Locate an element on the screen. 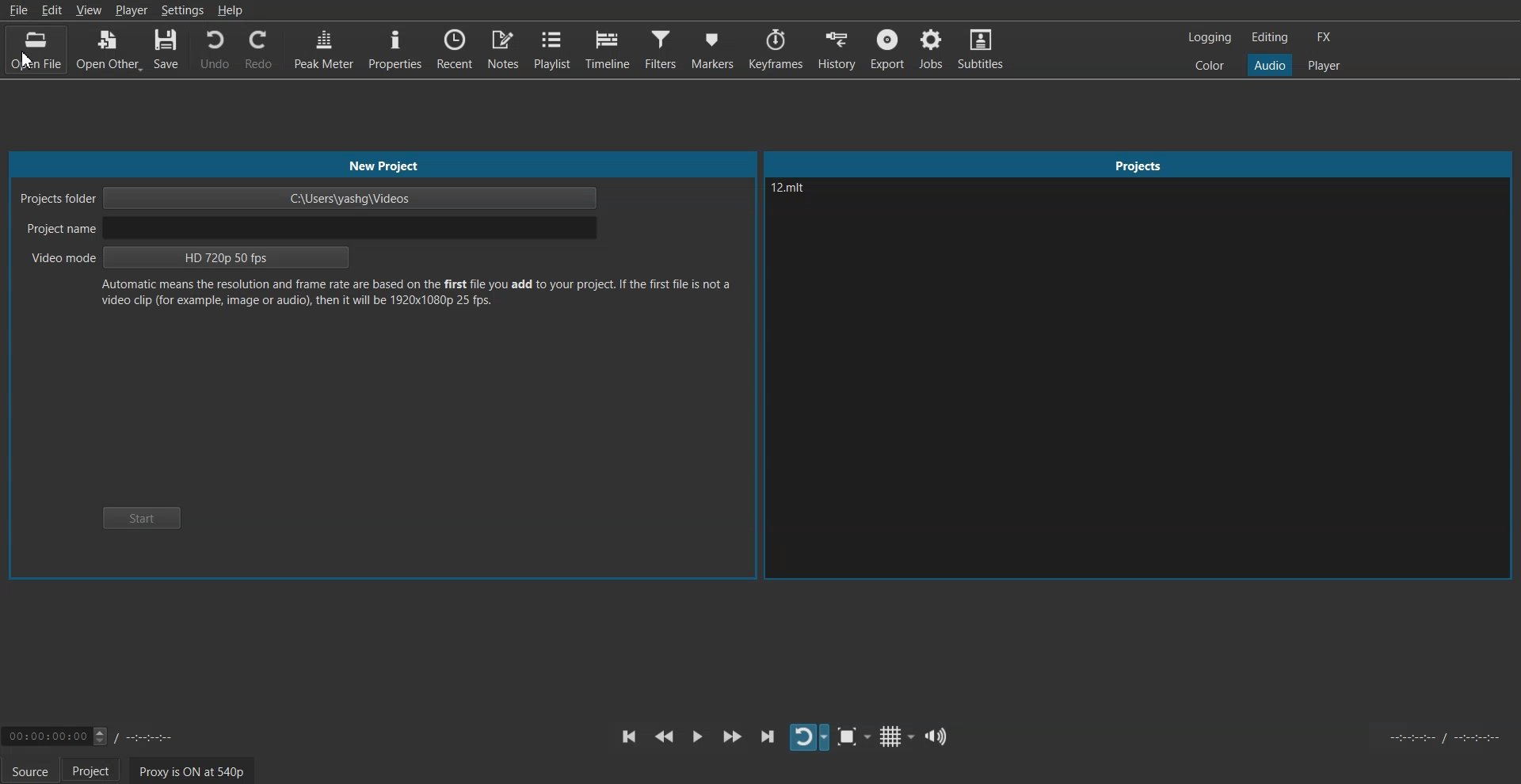 The image size is (1521, 784). Project is located at coordinates (1137, 165).